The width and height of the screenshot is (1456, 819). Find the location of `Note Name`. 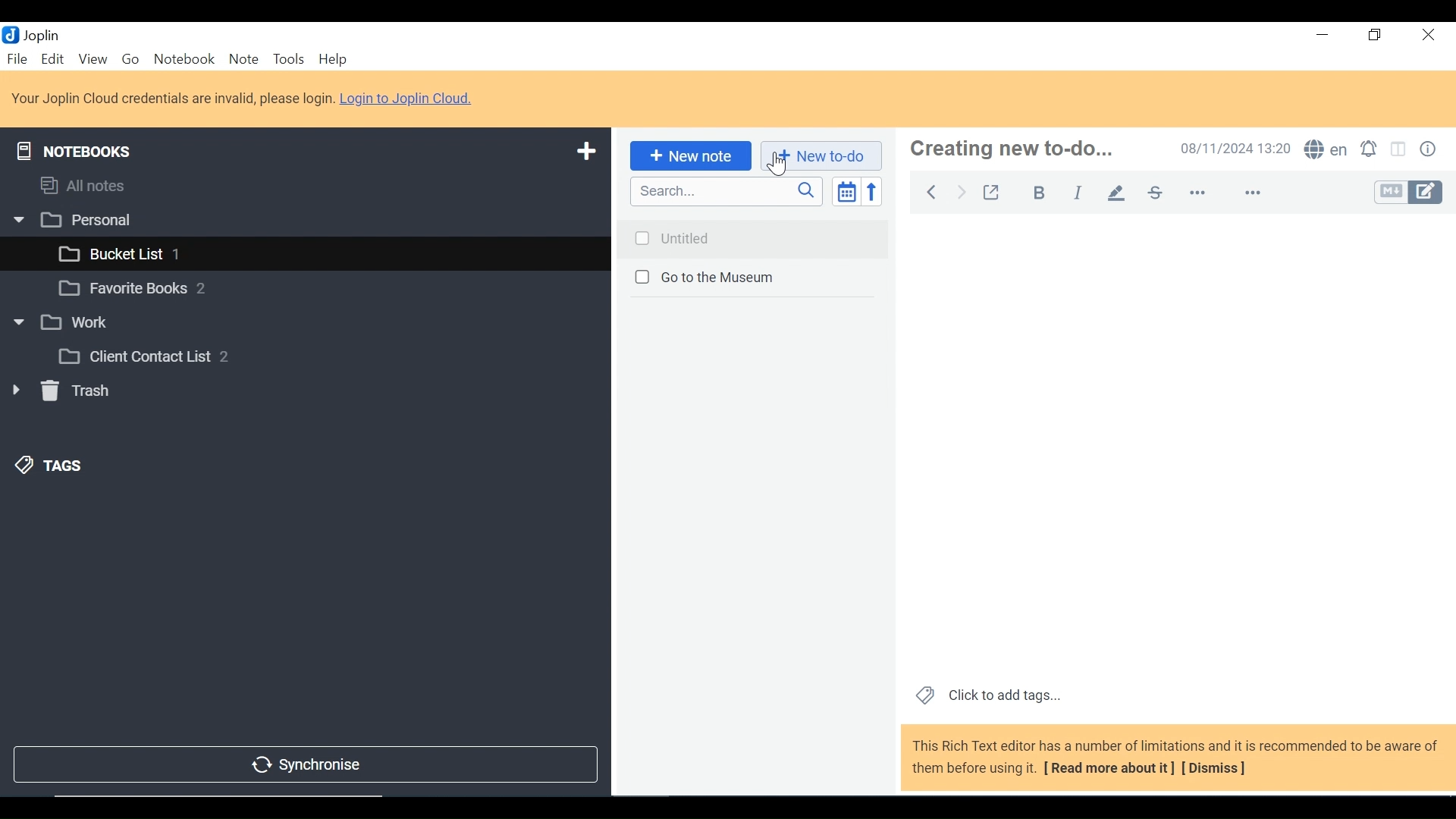

Note Name is located at coordinates (752, 279).